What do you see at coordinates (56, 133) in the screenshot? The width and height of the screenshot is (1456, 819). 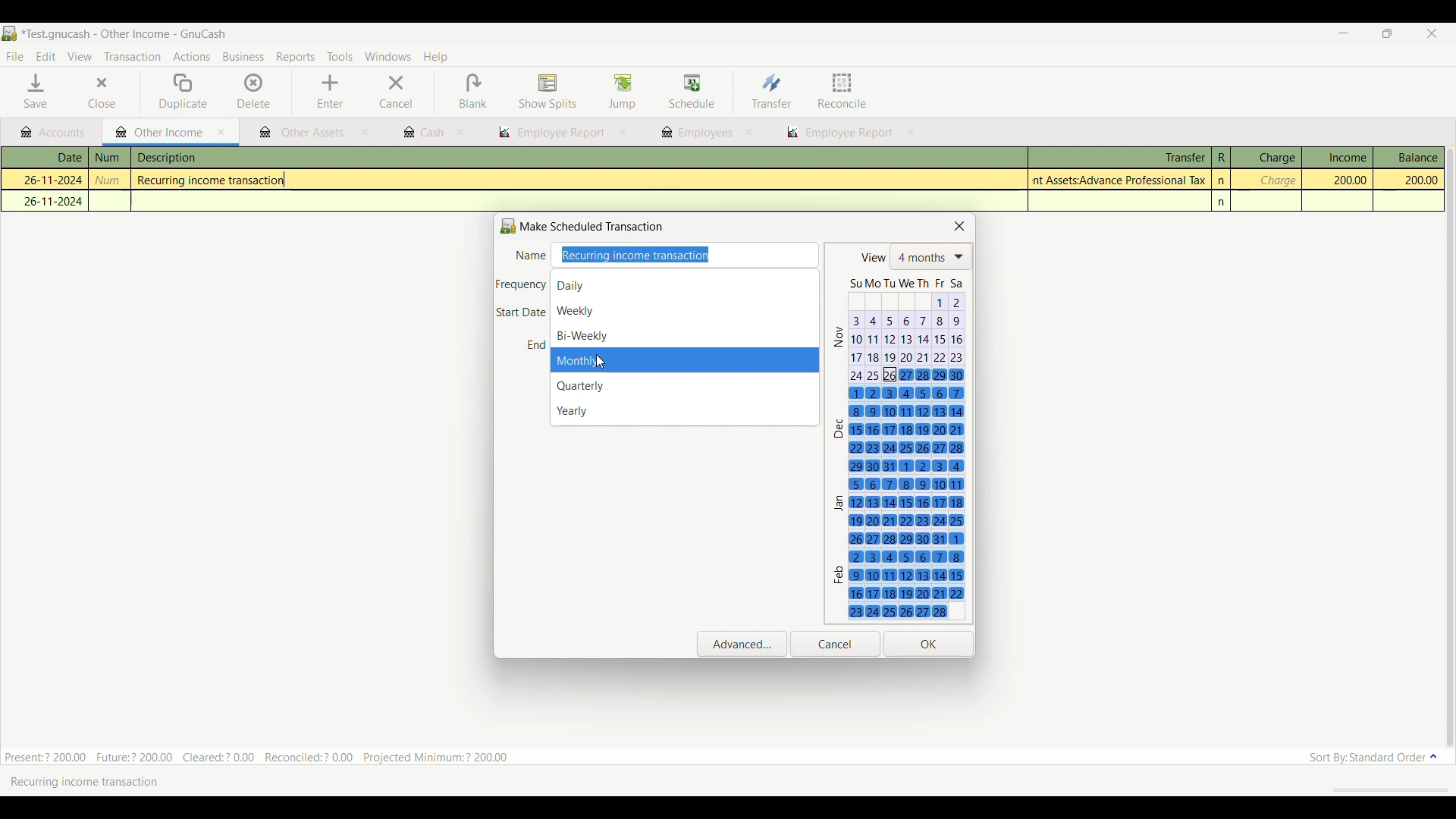 I see `Accounts` at bounding box center [56, 133].